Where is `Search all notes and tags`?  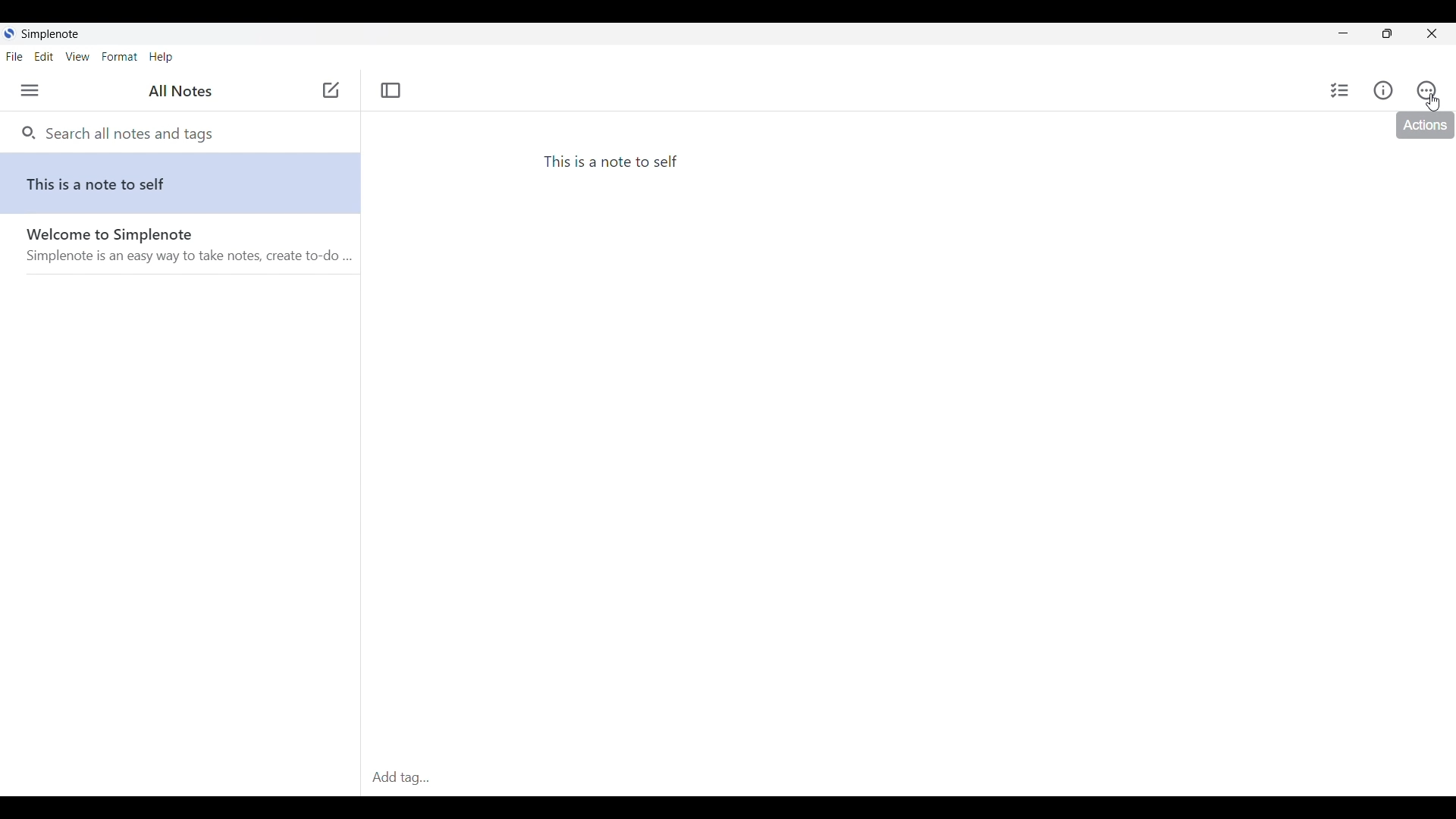 Search all notes and tags is located at coordinates (127, 132).